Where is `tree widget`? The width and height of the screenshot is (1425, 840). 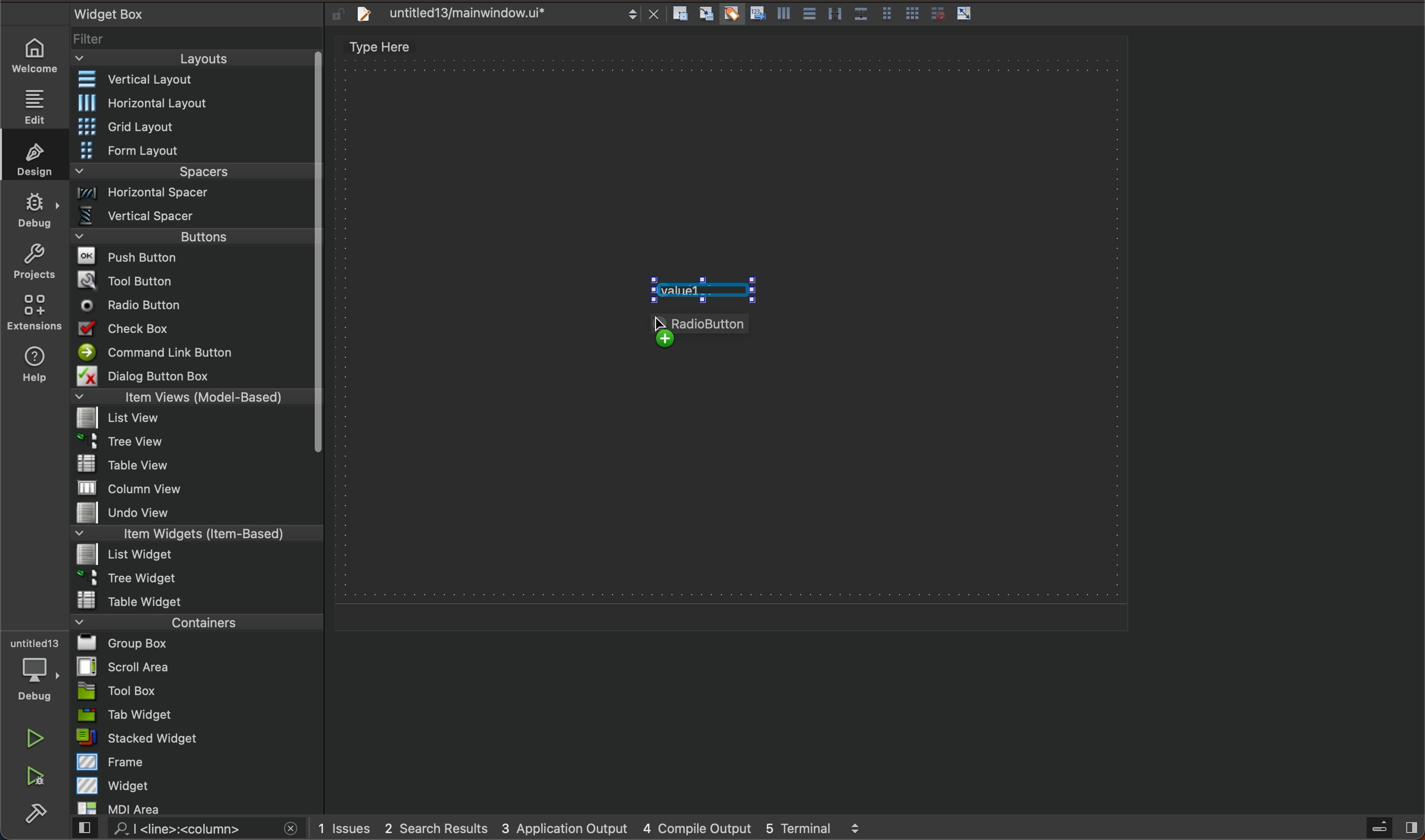 tree widget is located at coordinates (198, 579).